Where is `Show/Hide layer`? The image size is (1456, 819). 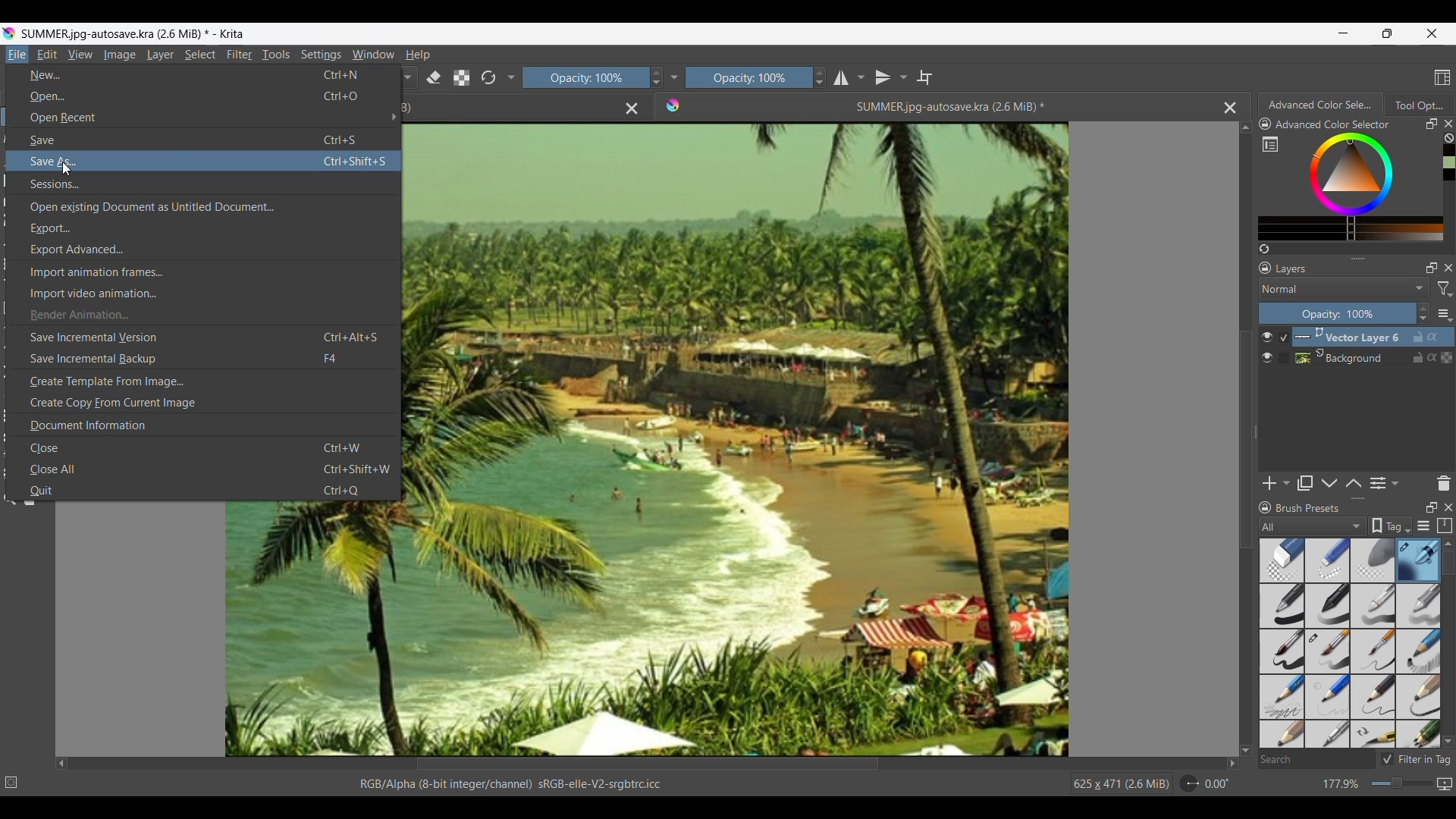 Show/Hide layer is located at coordinates (1267, 347).